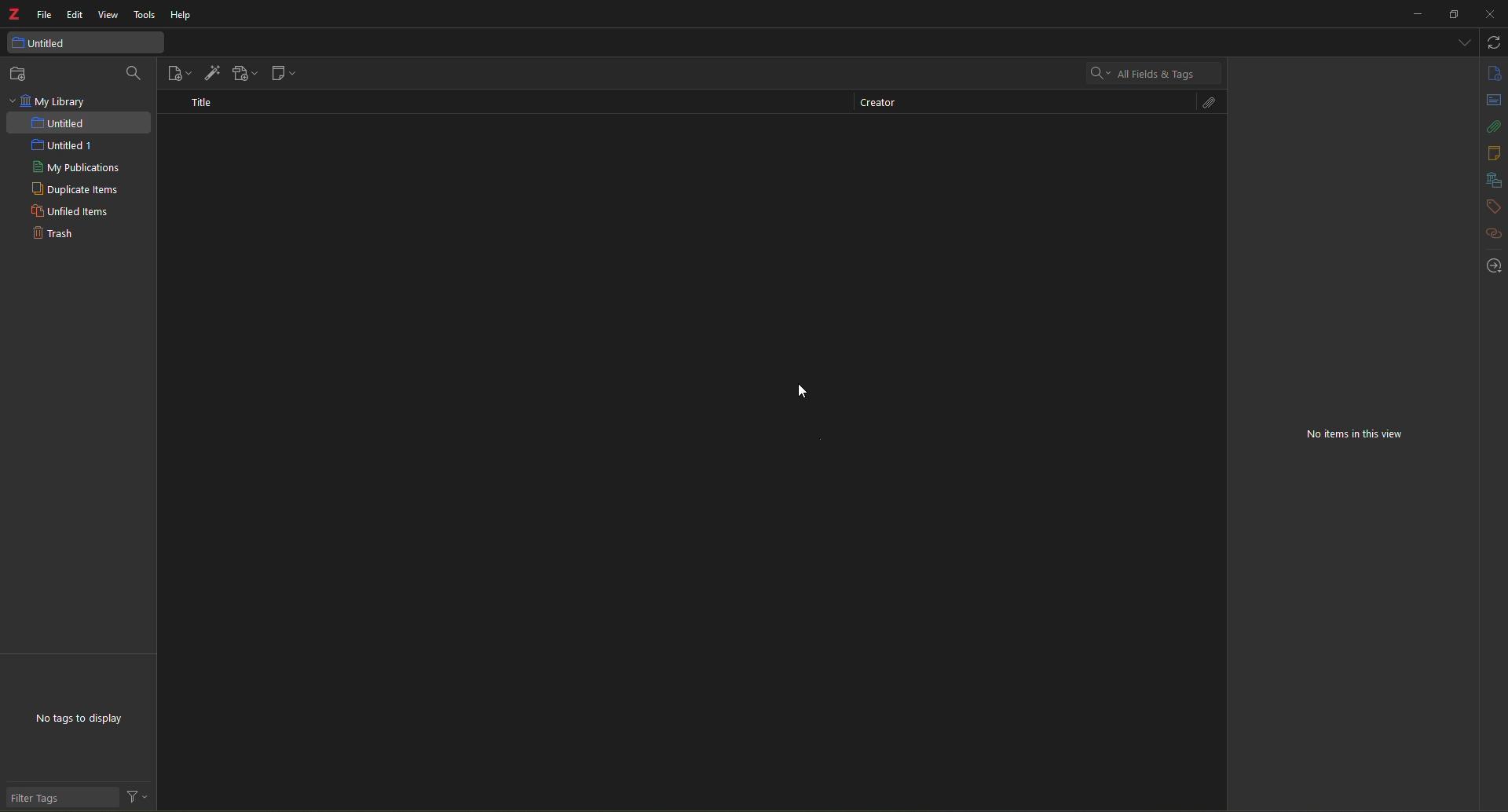 This screenshot has height=812, width=1508. I want to click on my publications, so click(80, 169).